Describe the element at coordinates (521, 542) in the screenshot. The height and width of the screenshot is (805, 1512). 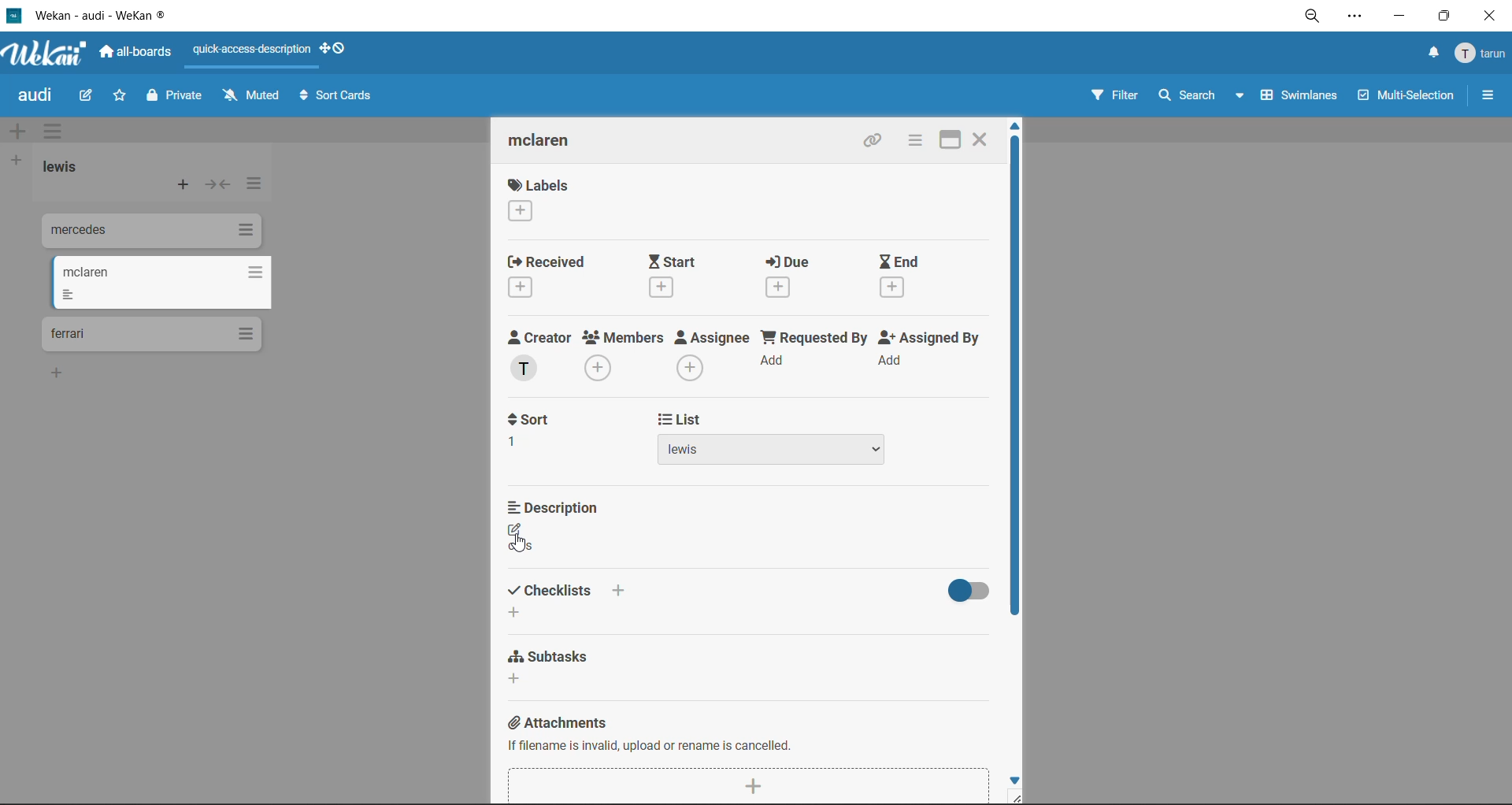
I see `cursor` at that location.